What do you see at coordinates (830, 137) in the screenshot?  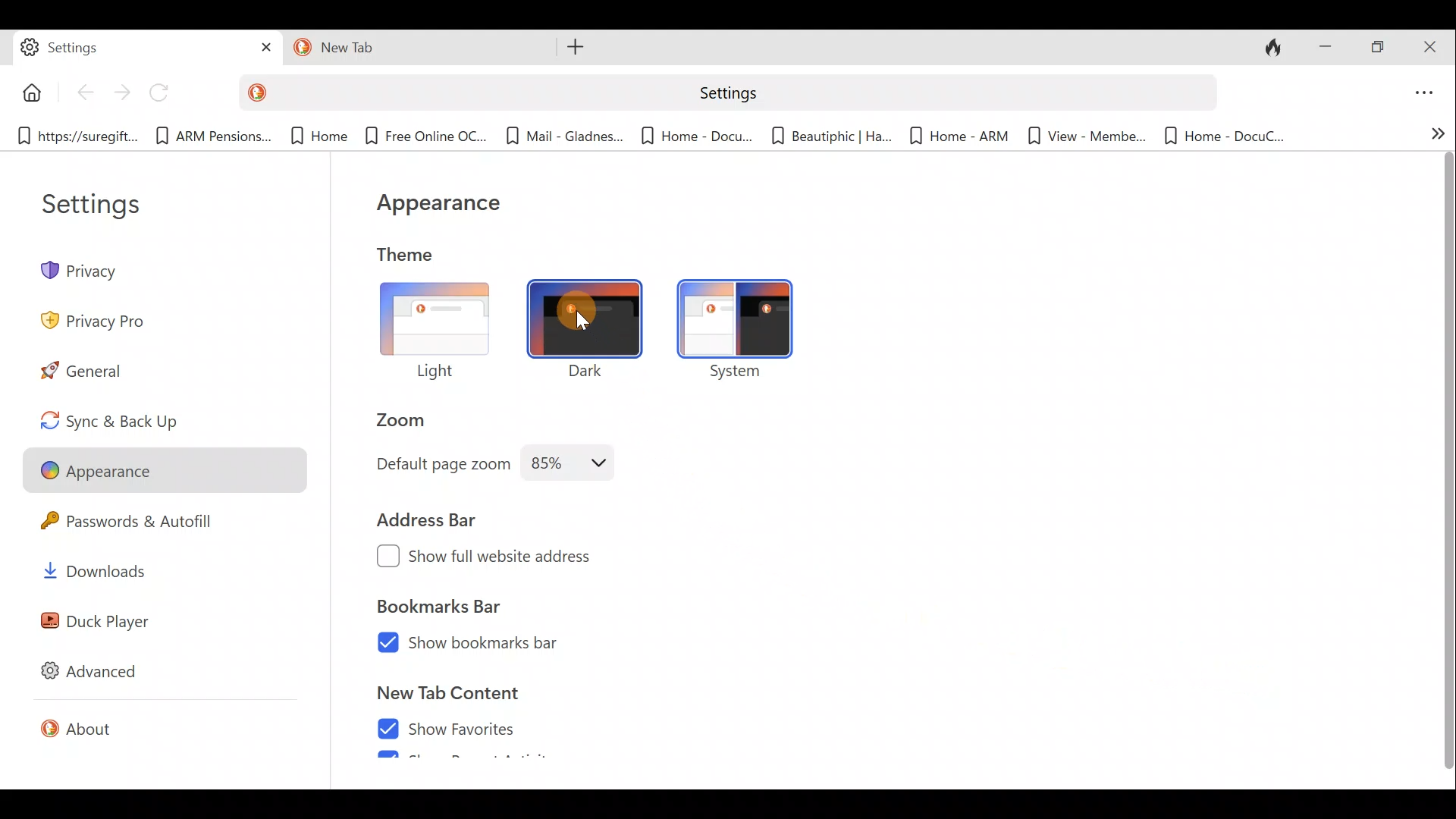 I see `Bookmark 7` at bounding box center [830, 137].